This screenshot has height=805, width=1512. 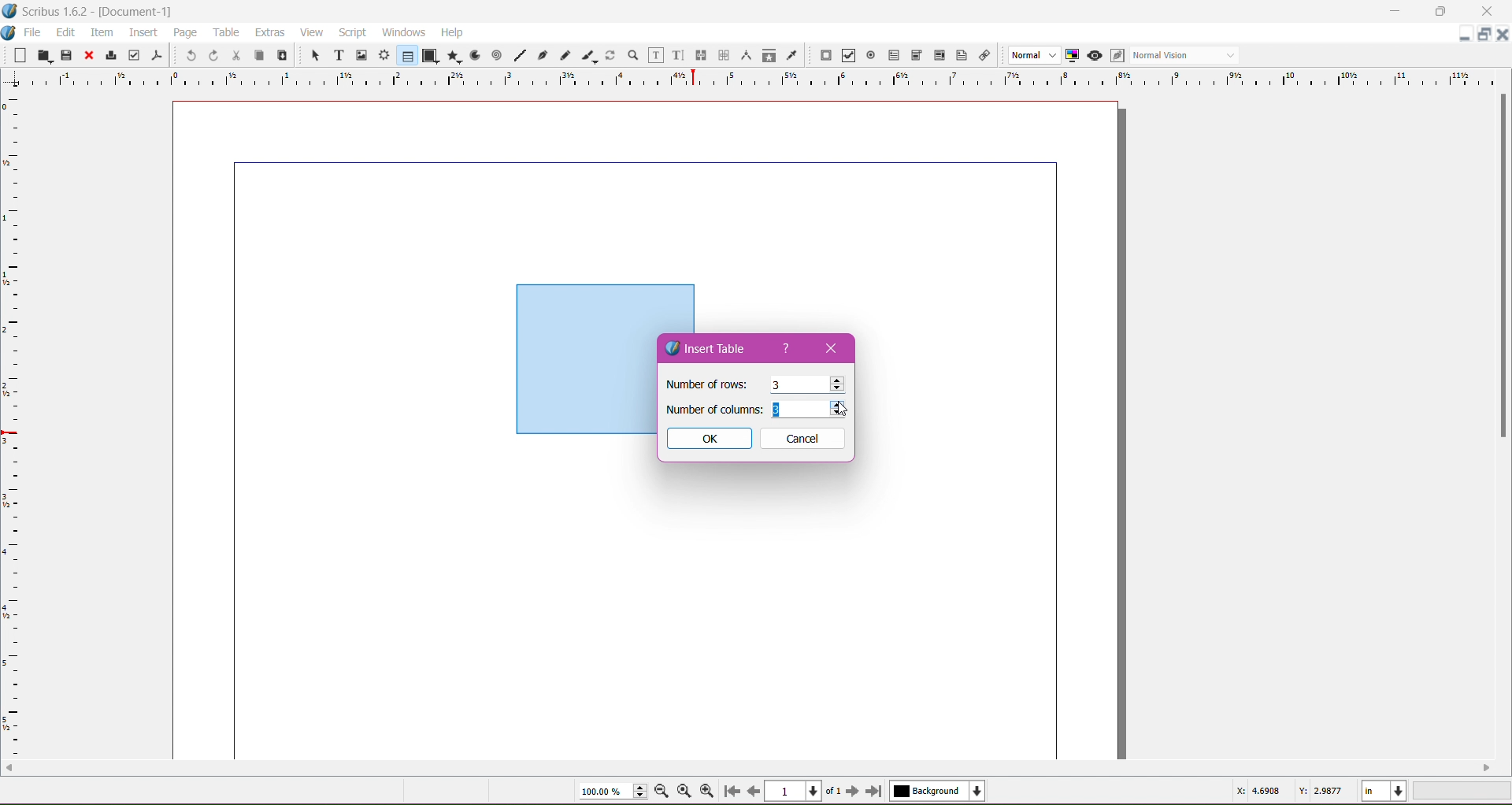 I want to click on Last Page, so click(x=877, y=792).